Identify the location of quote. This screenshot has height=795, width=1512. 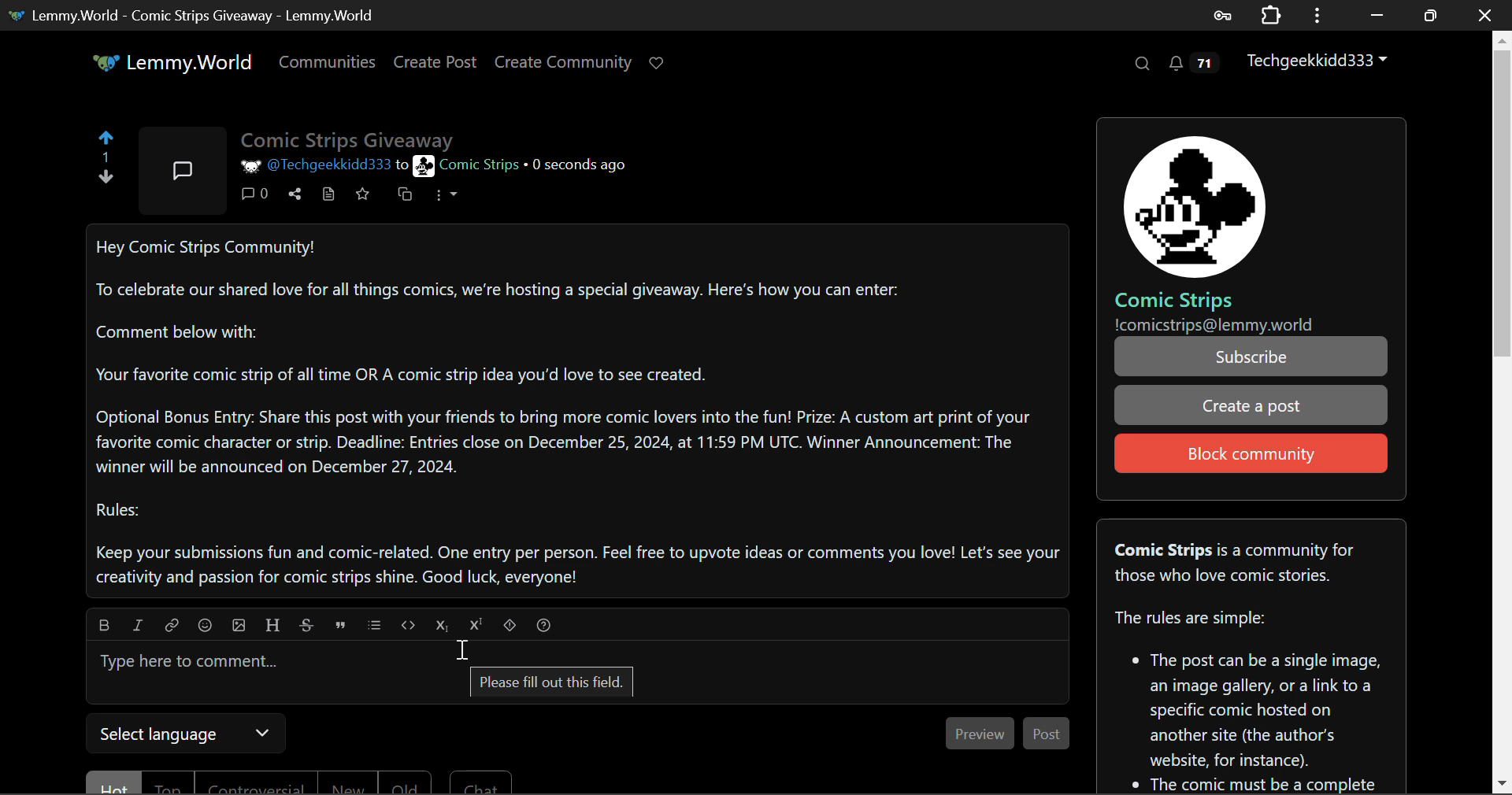
(342, 622).